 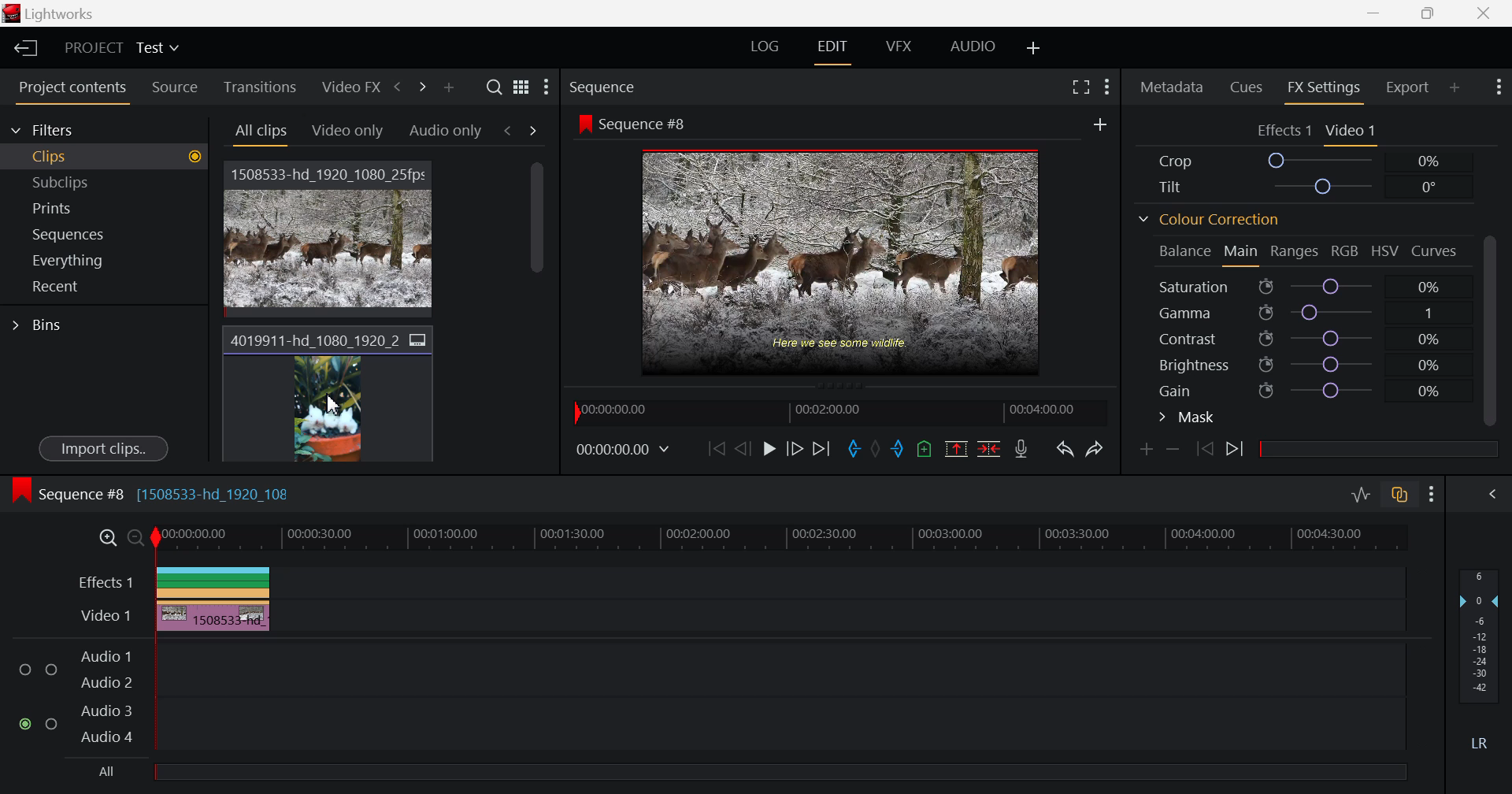 I want to click on Toggle Audio Levels Editing, so click(x=1361, y=496).